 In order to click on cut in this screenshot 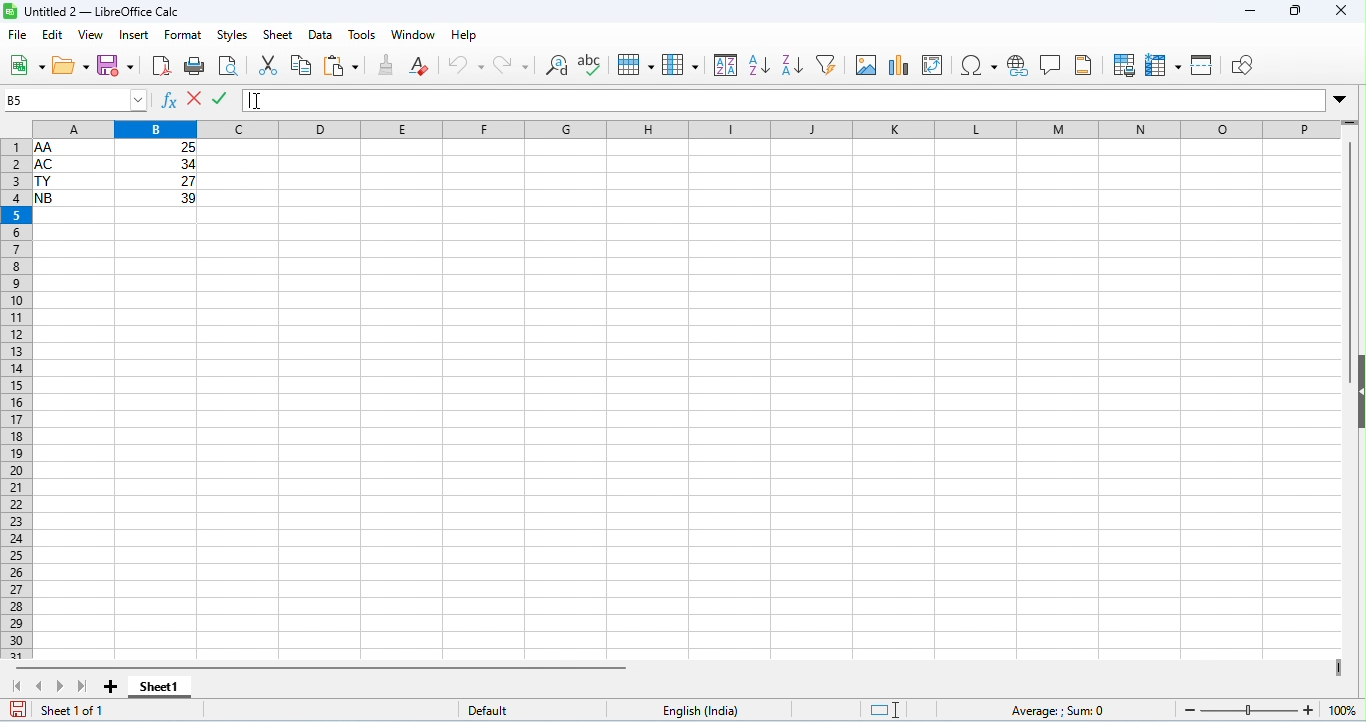, I will do `click(271, 64)`.